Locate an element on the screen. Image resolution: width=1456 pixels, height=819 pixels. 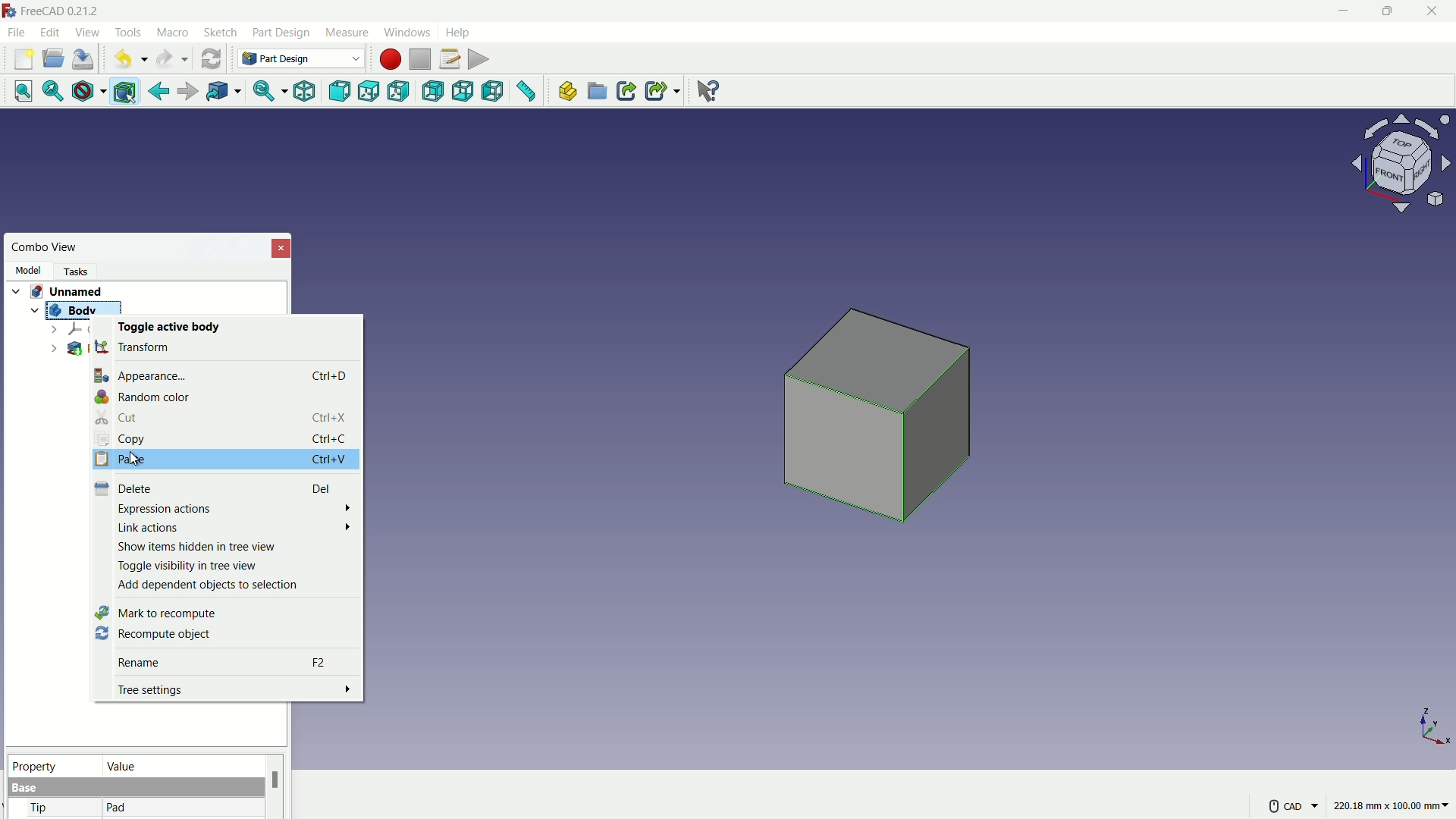
fit selection is located at coordinates (49, 92).